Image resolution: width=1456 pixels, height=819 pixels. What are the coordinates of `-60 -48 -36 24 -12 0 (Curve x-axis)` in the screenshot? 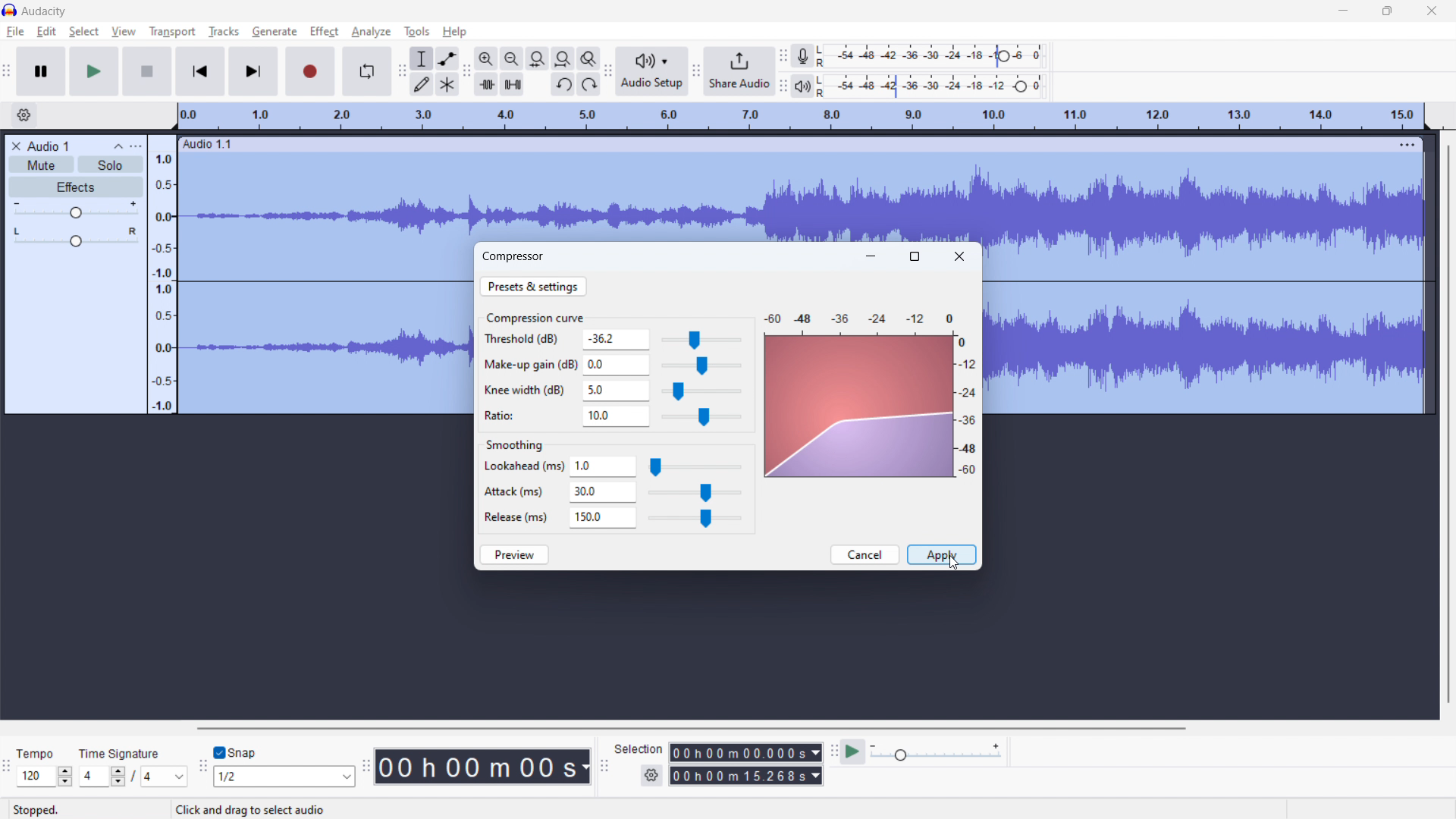 It's located at (854, 314).